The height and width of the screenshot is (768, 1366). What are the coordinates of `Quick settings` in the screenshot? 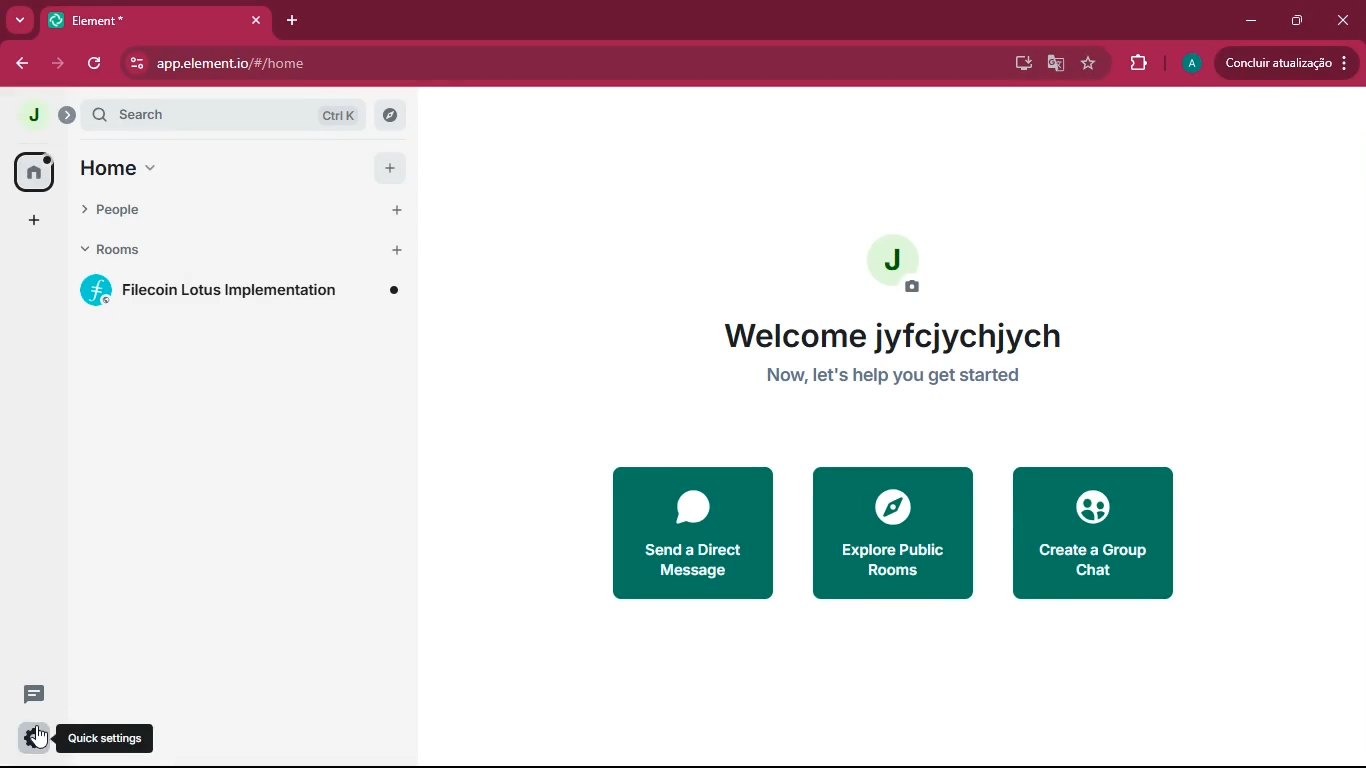 It's located at (105, 737).